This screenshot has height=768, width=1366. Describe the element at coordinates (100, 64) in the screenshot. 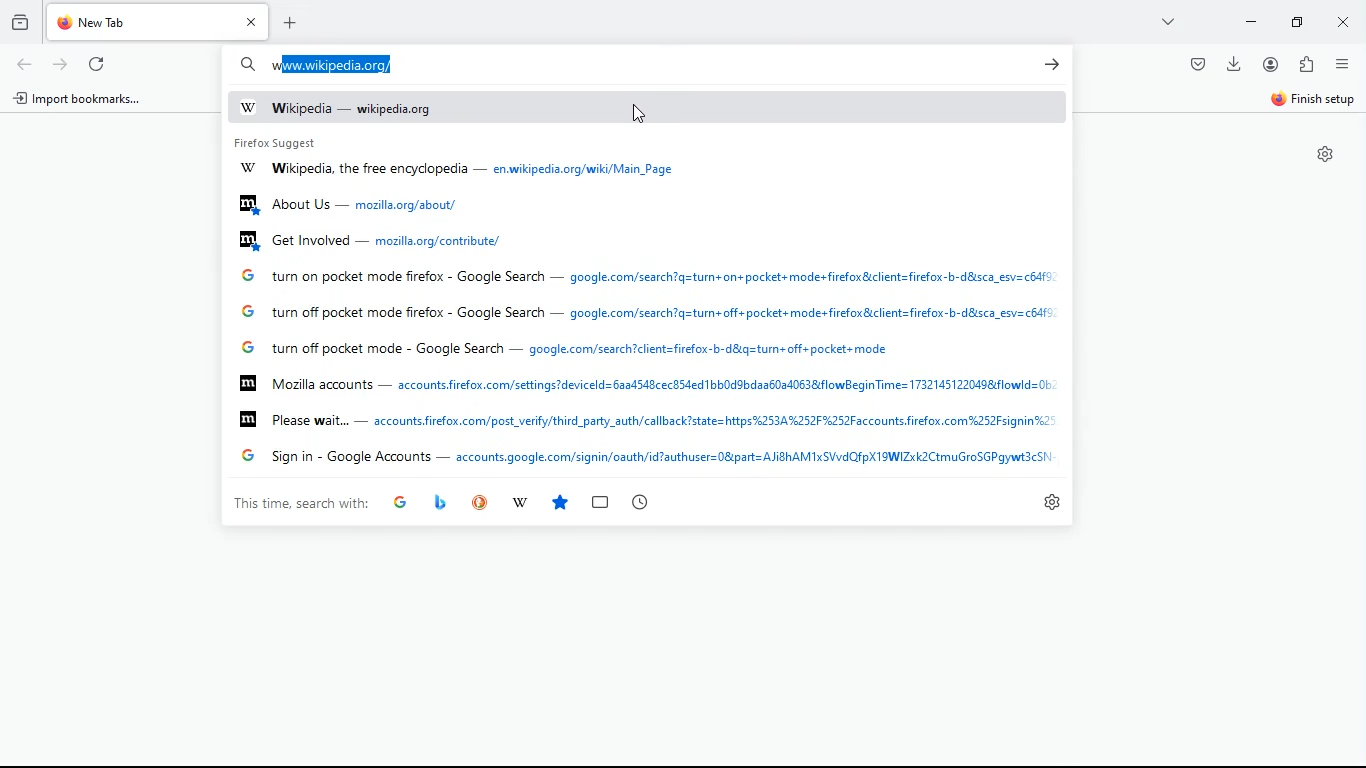

I see `refresh` at that location.